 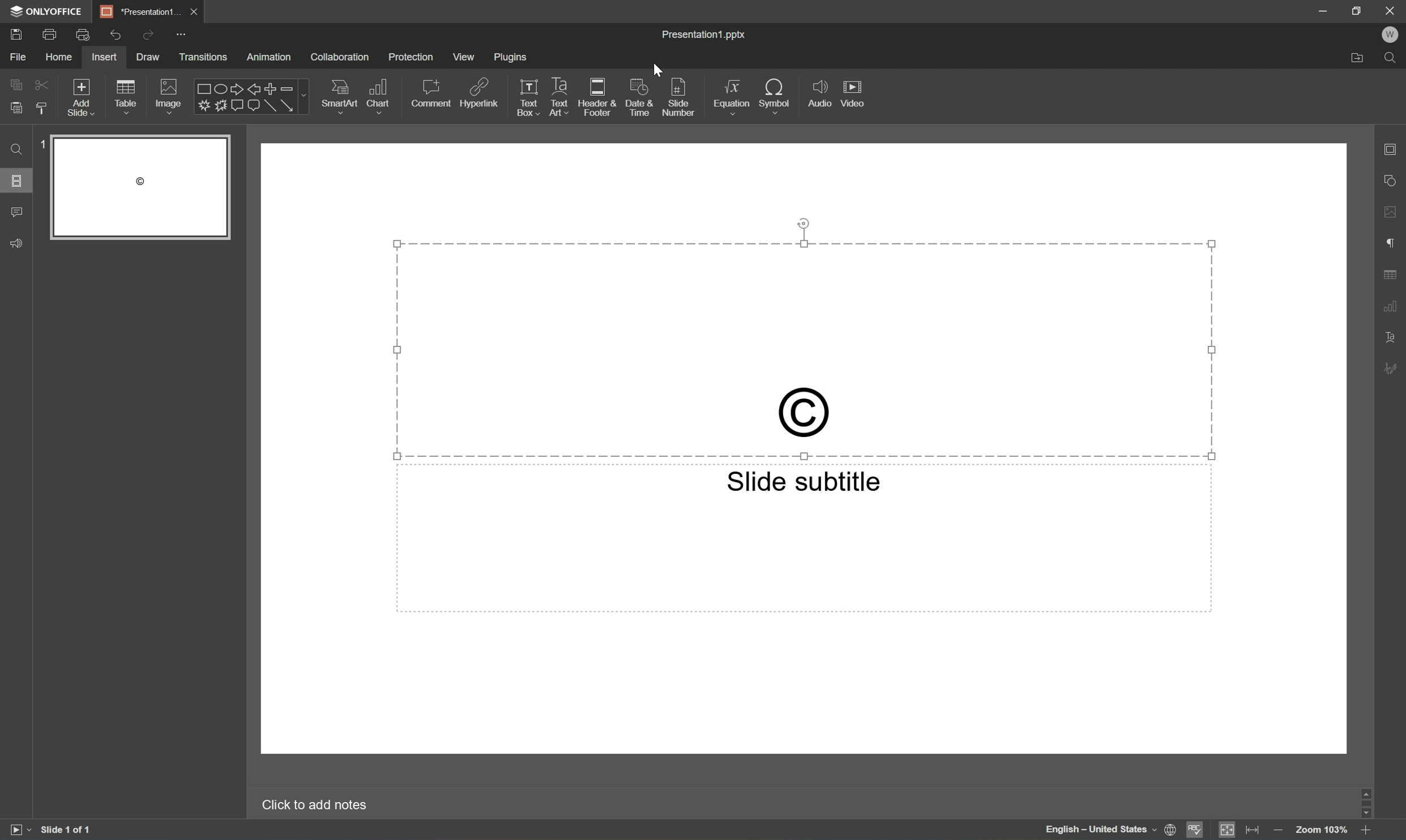 What do you see at coordinates (1390, 335) in the screenshot?
I see `Text Art settings` at bounding box center [1390, 335].